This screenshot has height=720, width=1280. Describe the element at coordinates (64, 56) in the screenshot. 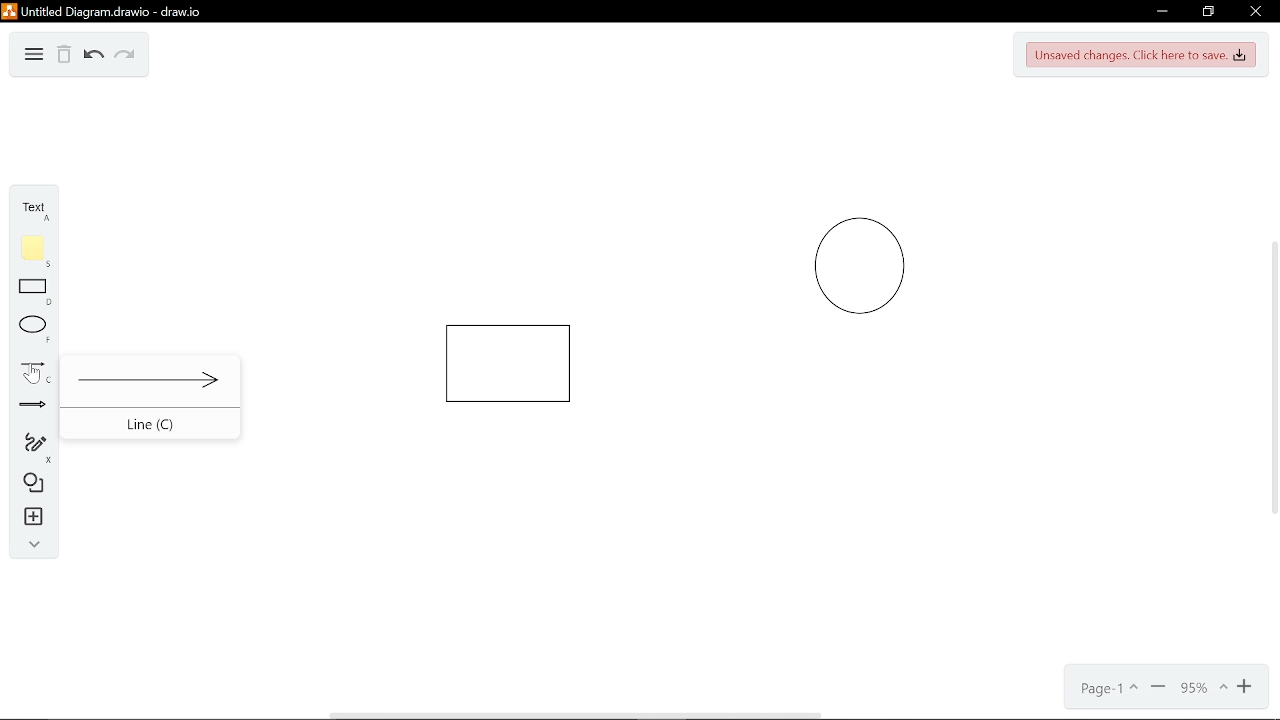

I see `Delete` at that location.